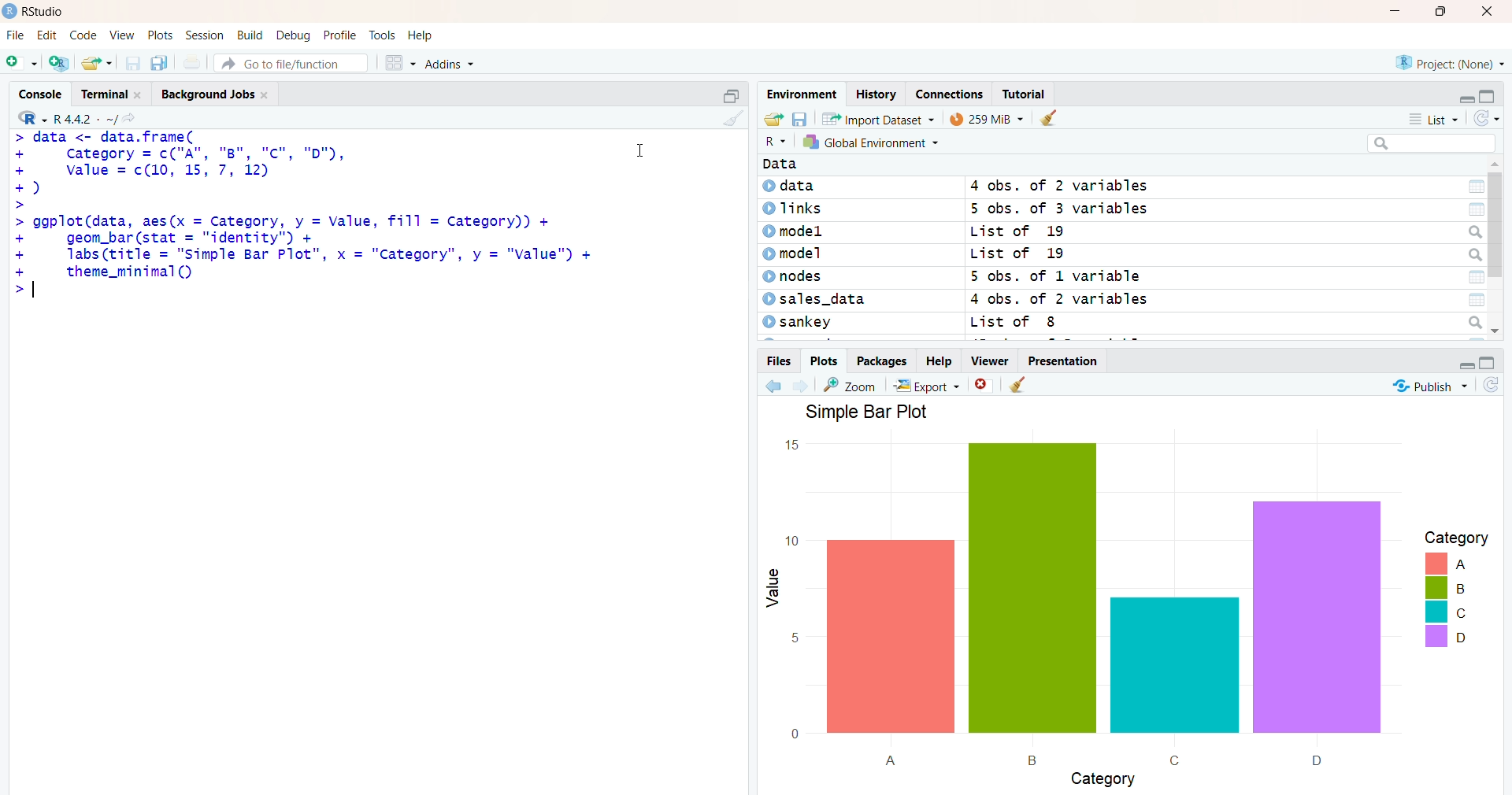 The width and height of the screenshot is (1512, 795). What do you see at coordinates (96, 62) in the screenshot?
I see `open an existing file` at bounding box center [96, 62].